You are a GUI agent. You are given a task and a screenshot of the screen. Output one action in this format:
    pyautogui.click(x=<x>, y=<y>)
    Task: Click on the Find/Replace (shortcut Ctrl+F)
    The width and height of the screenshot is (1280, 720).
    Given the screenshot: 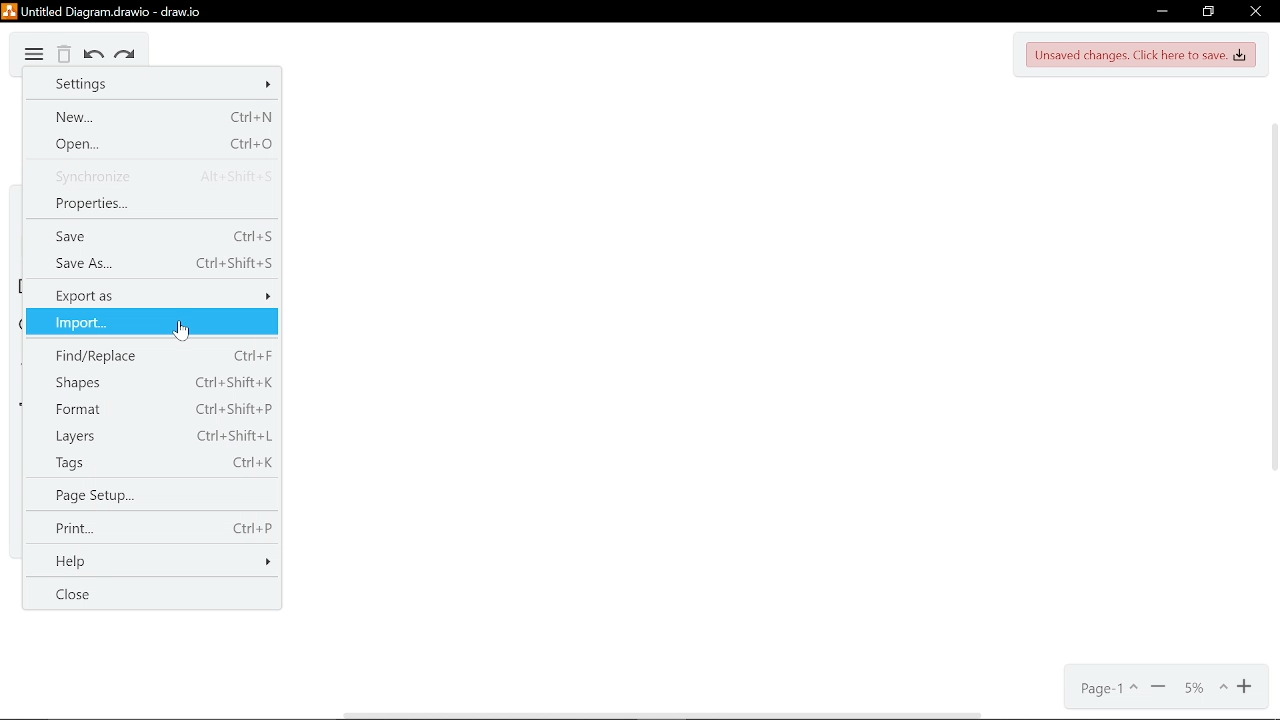 What is the action you would take?
    pyautogui.click(x=153, y=354)
    